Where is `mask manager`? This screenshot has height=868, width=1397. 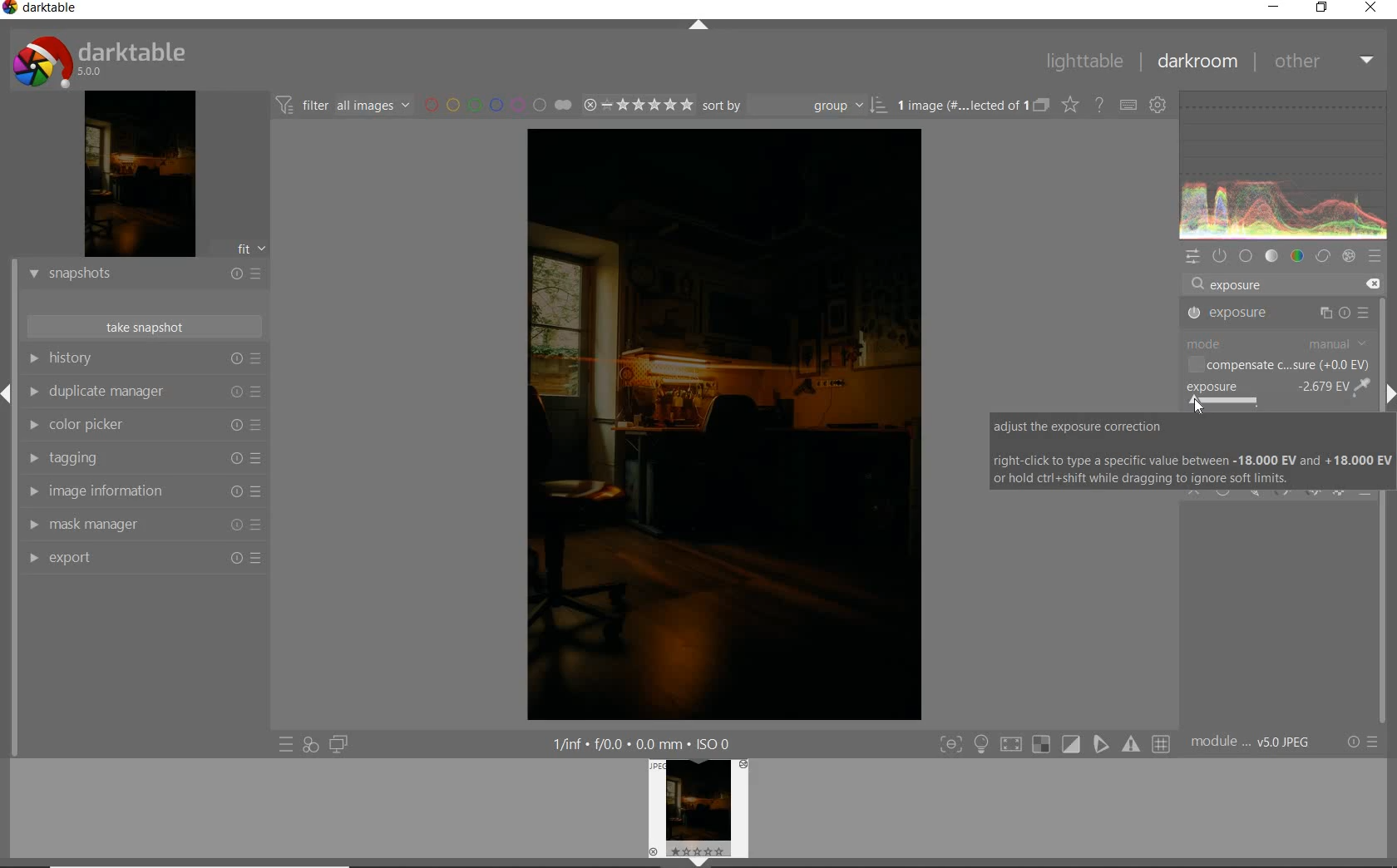
mask manager is located at coordinates (141, 526).